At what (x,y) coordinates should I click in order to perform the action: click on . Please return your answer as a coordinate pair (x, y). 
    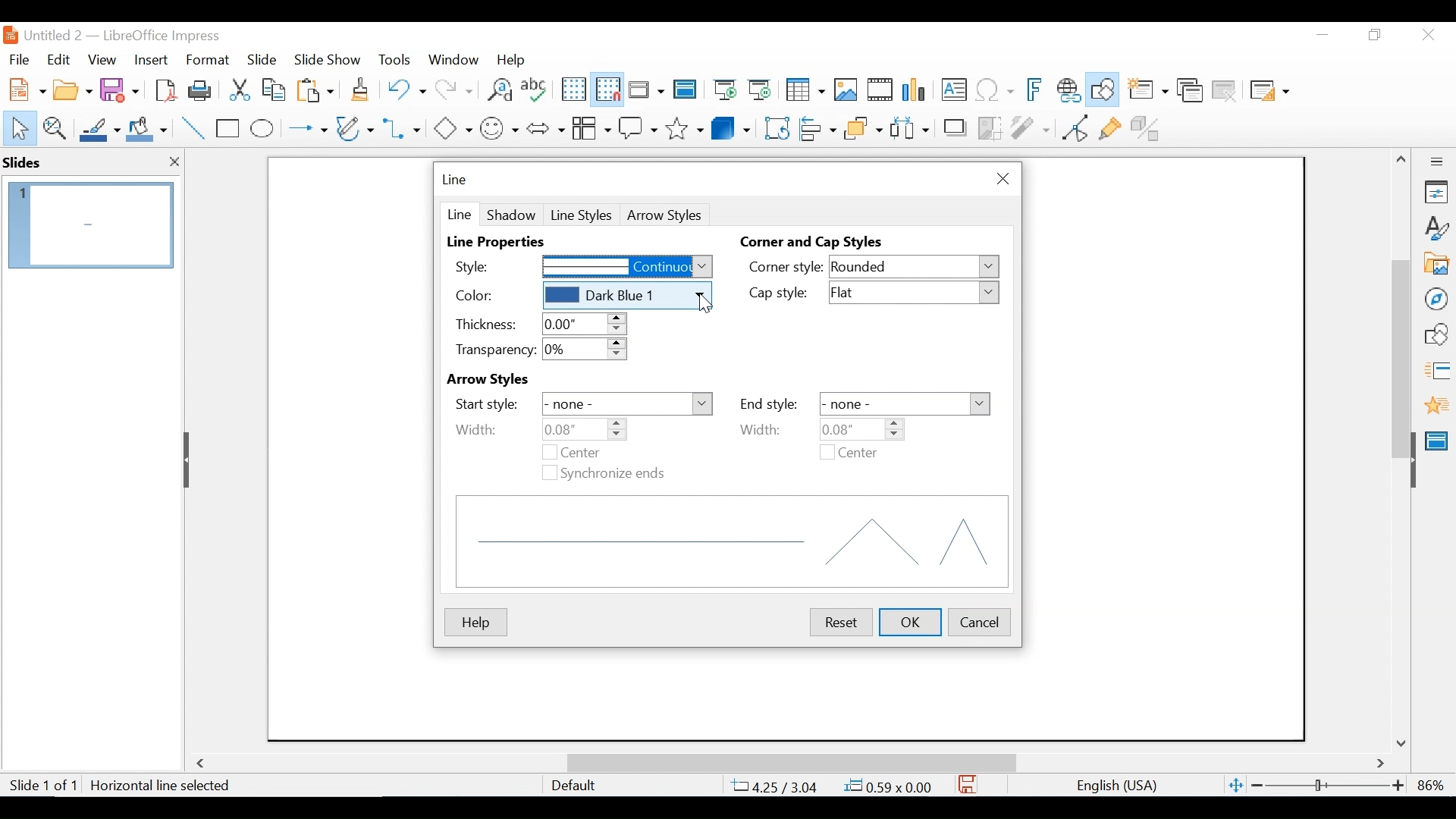
    Looking at the image, I should click on (356, 127).